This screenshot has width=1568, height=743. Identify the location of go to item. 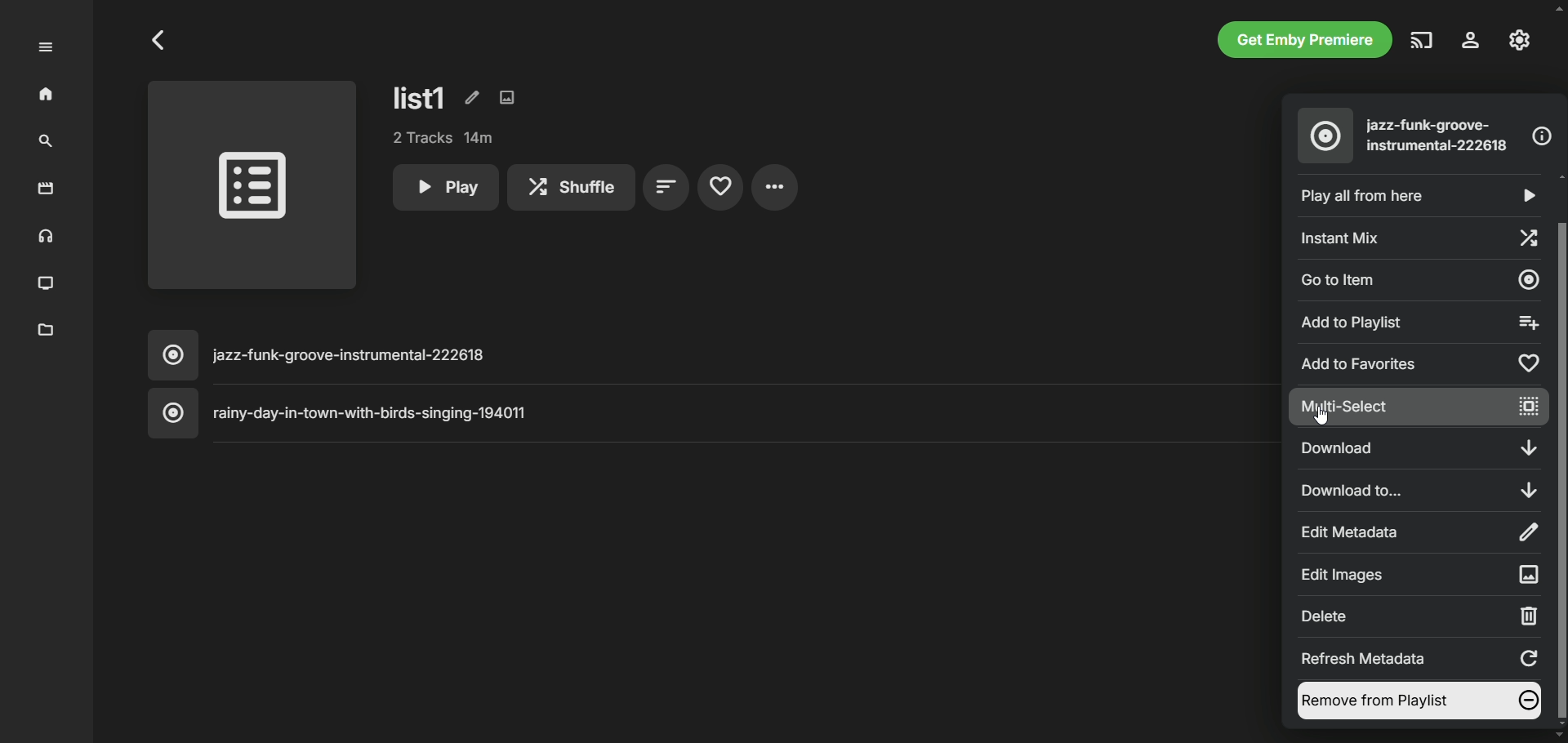
(1420, 278).